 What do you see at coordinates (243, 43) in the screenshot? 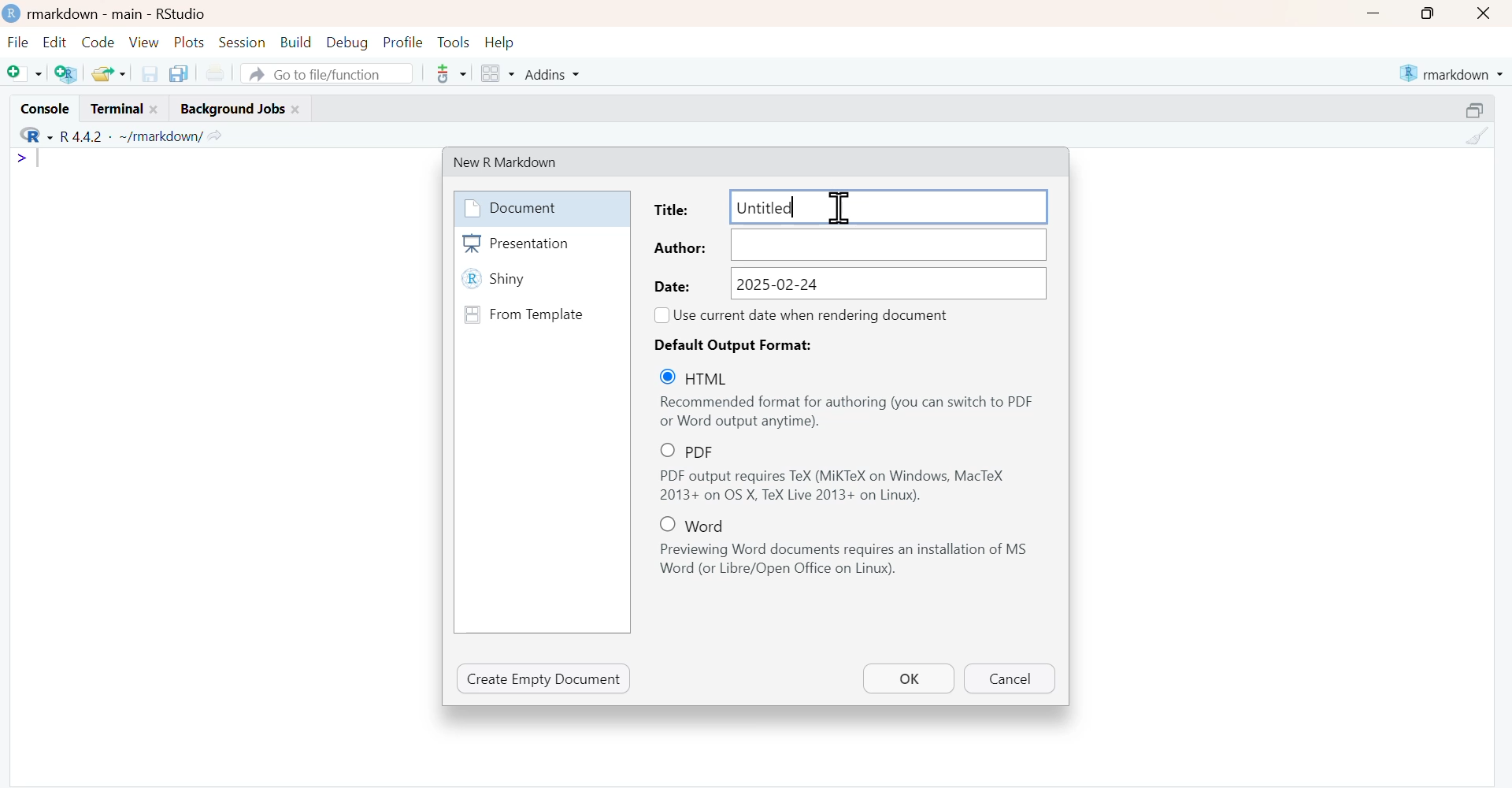
I see `Session` at bounding box center [243, 43].